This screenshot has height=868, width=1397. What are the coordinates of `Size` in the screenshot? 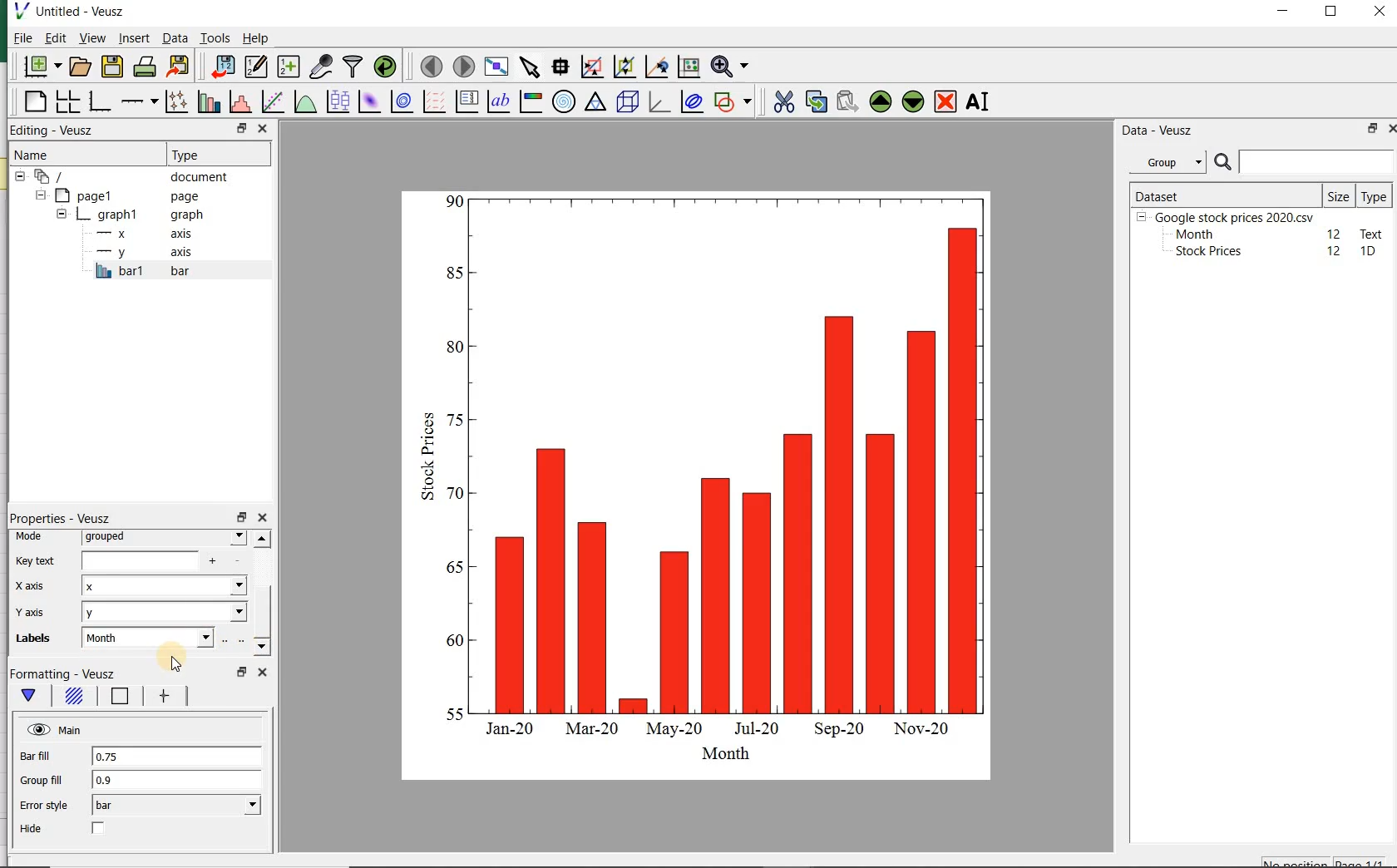 It's located at (1339, 195).